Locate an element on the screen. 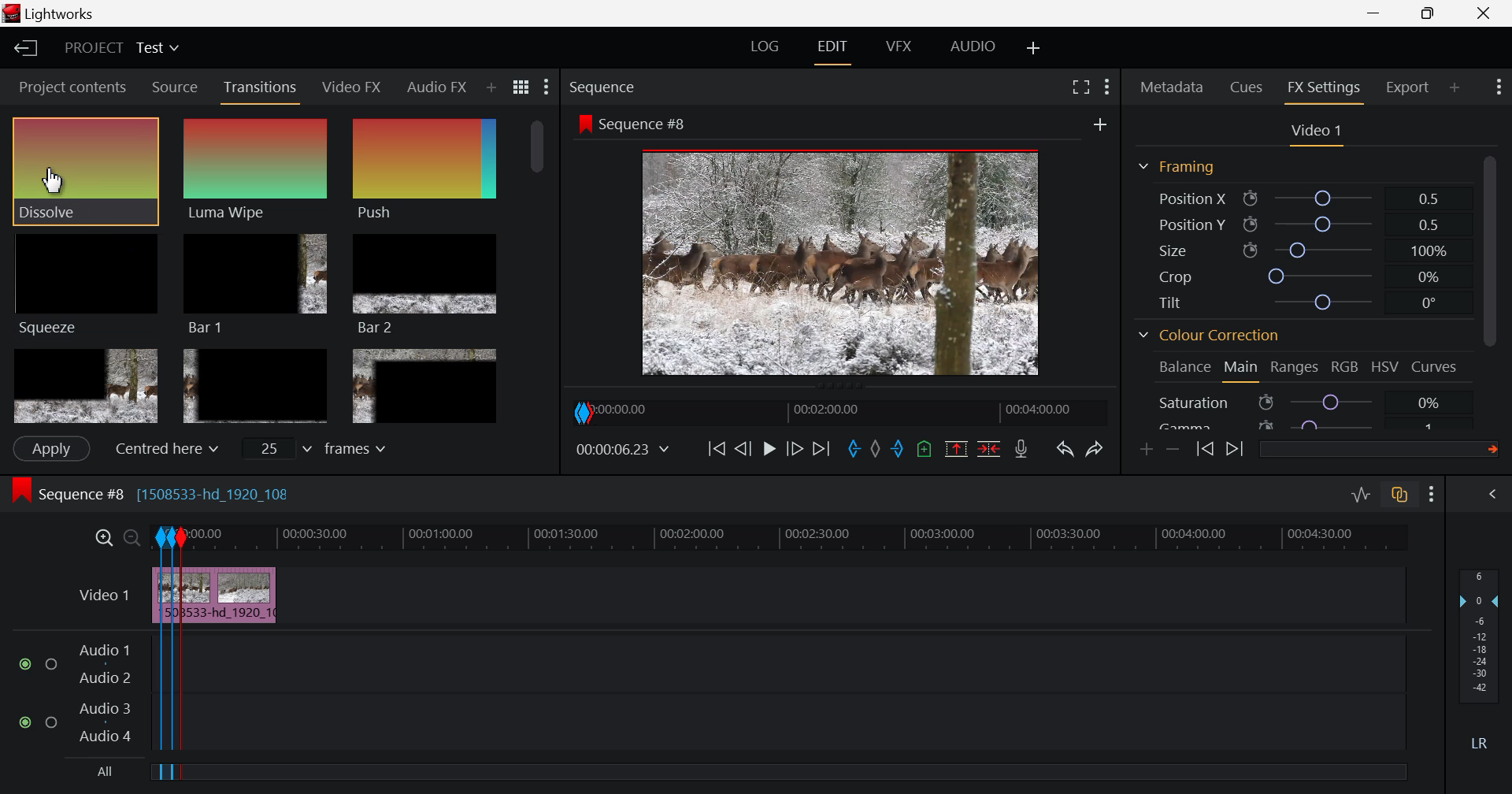 The height and width of the screenshot is (794, 1512). Next keyframe is located at coordinates (1235, 451).